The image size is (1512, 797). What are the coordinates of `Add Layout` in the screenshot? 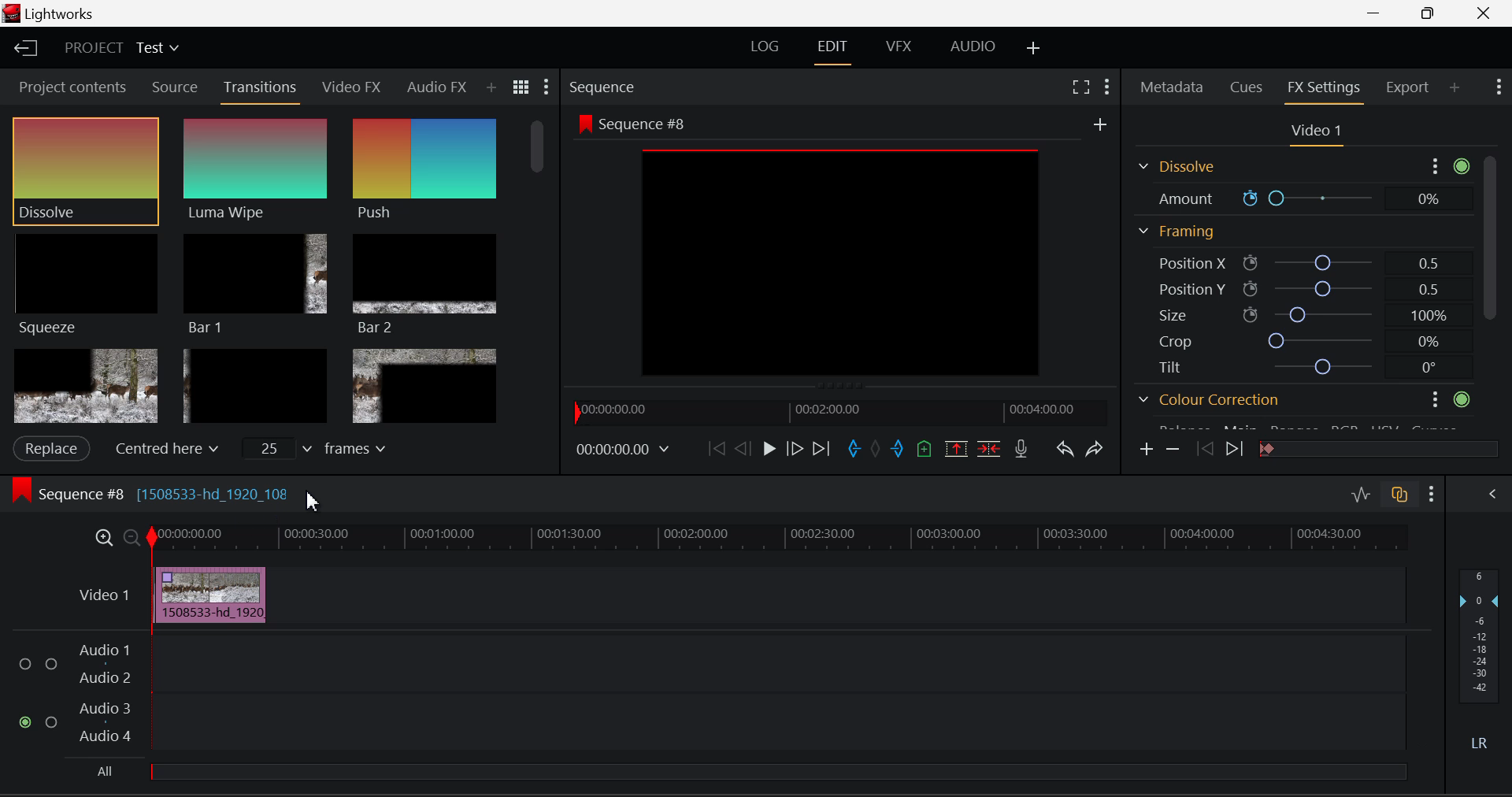 It's located at (1034, 46).